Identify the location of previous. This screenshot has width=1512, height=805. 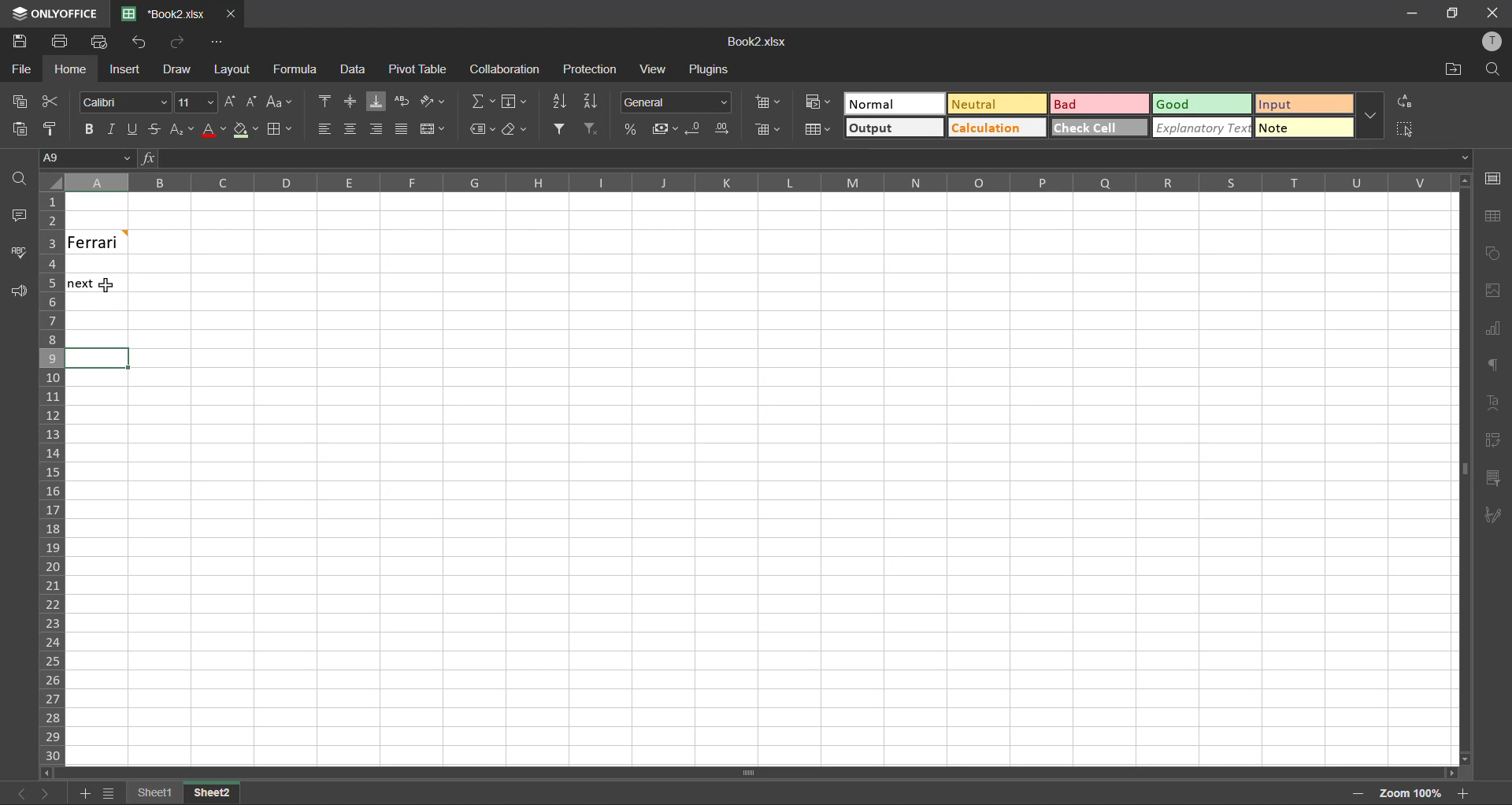
(13, 792).